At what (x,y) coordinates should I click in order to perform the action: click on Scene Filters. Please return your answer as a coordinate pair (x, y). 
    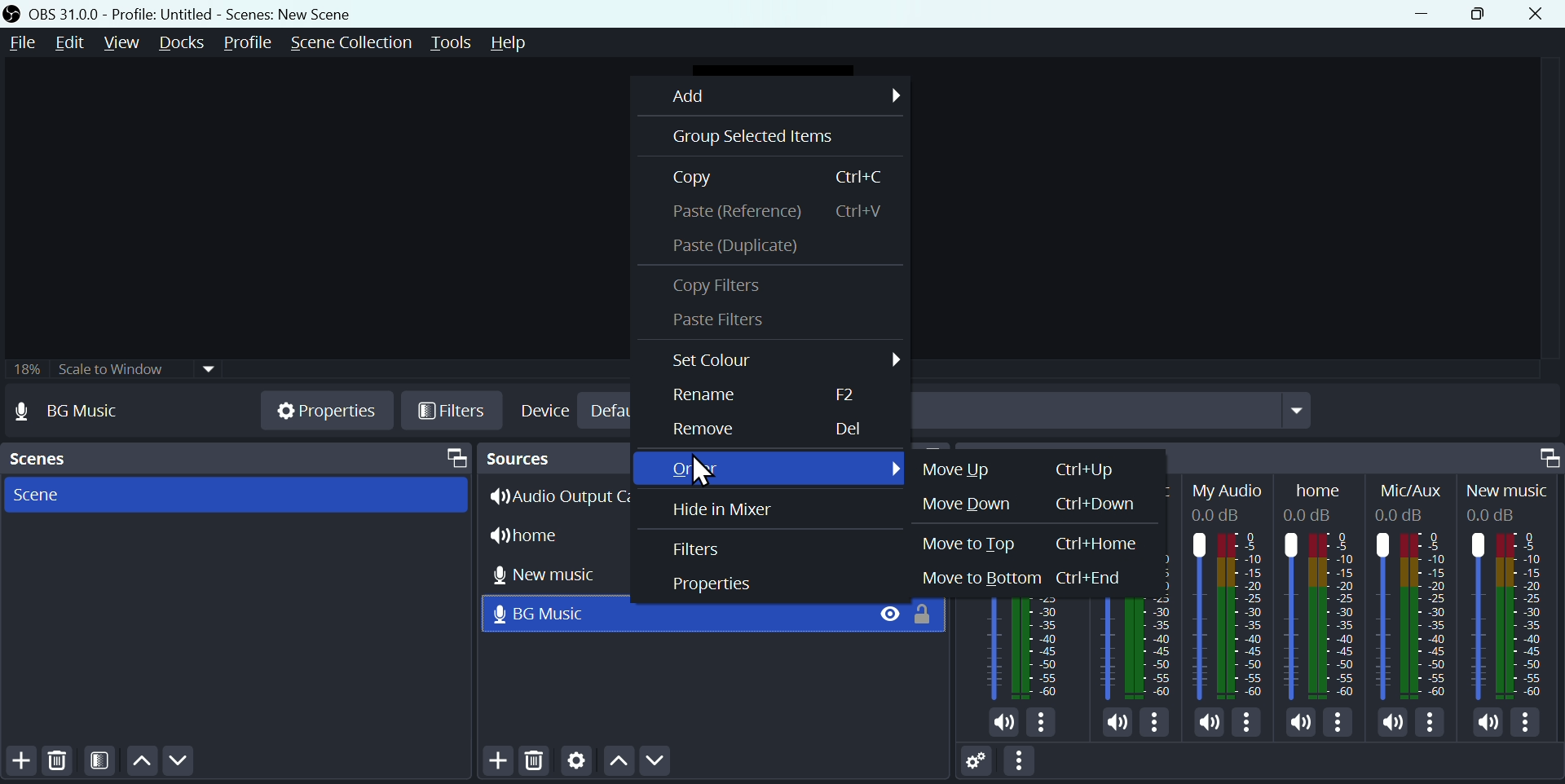
    Looking at the image, I should click on (105, 762).